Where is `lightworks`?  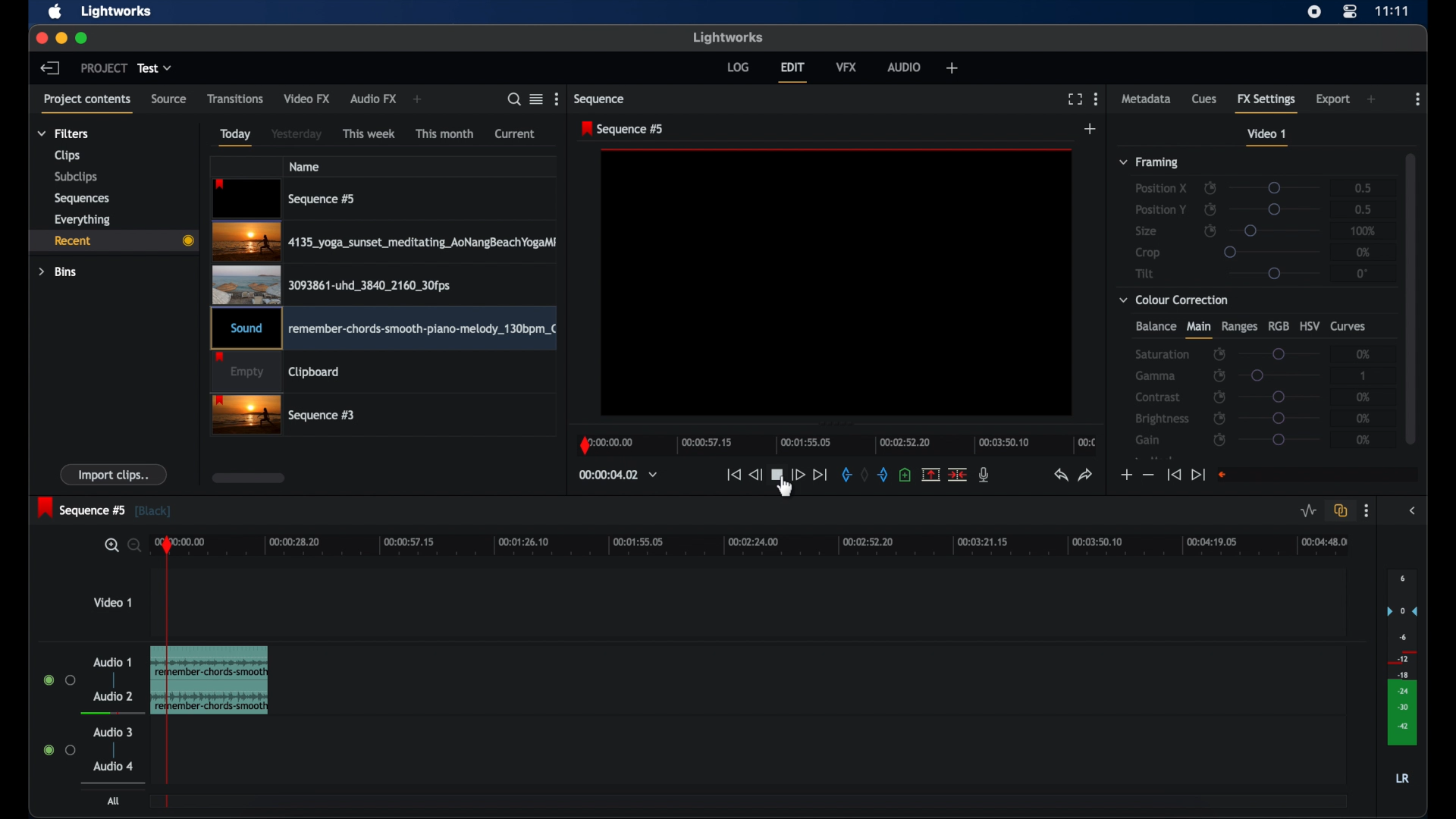
lightworks is located at coordinates (118, 11).